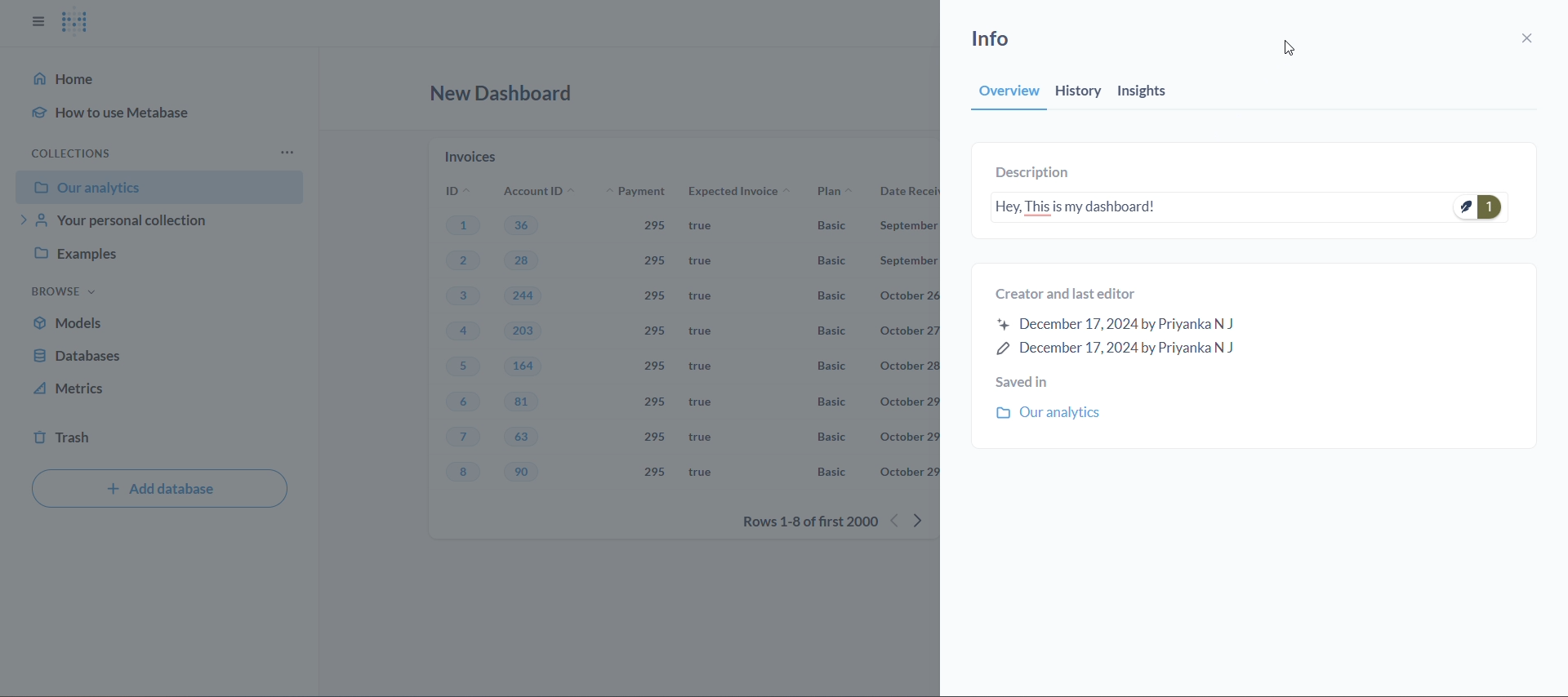  I want to click on 4, so click(463, 332).